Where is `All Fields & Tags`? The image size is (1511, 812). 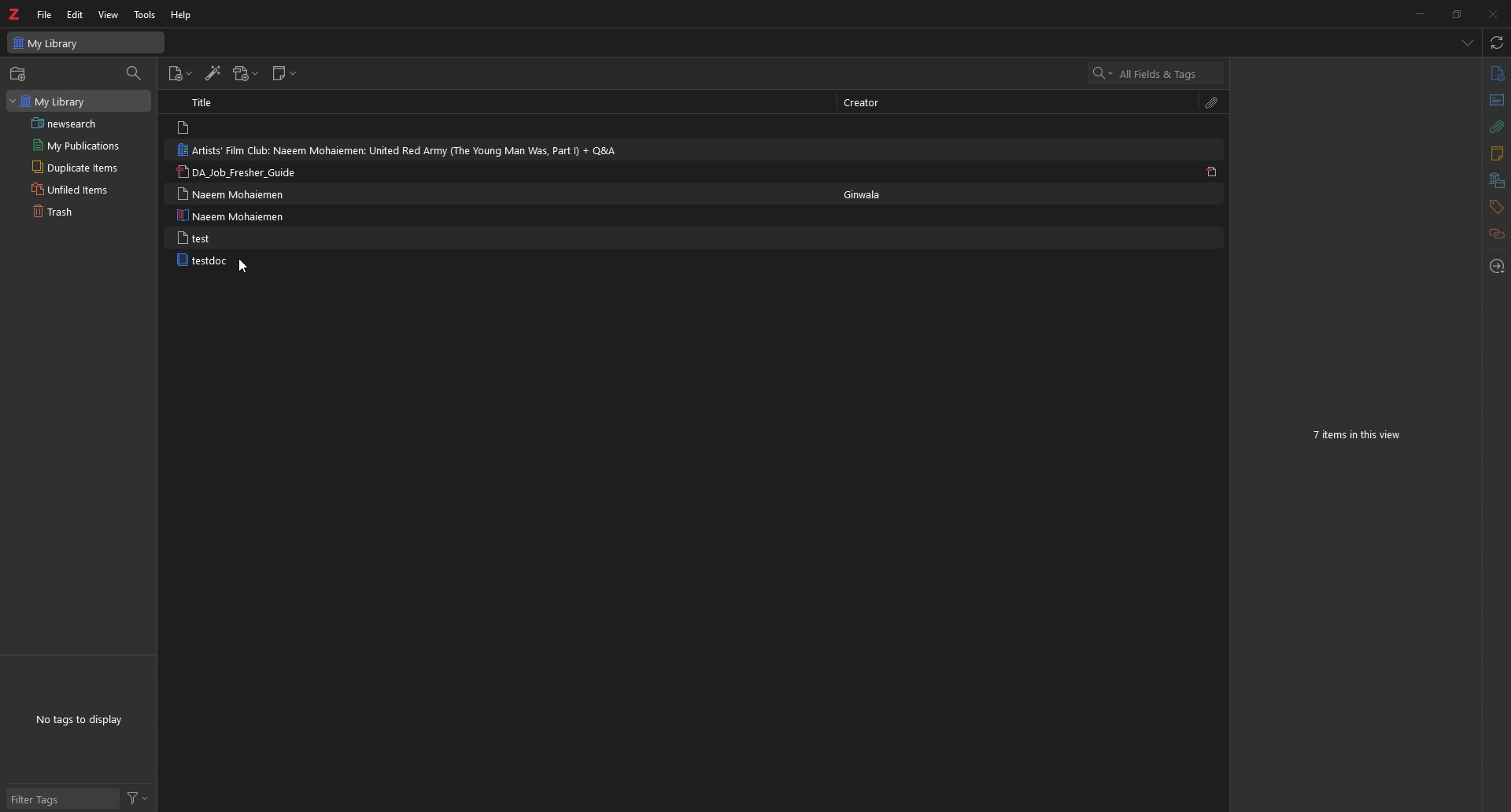 All Fields & Tags is located at coordinates (1145, 73).